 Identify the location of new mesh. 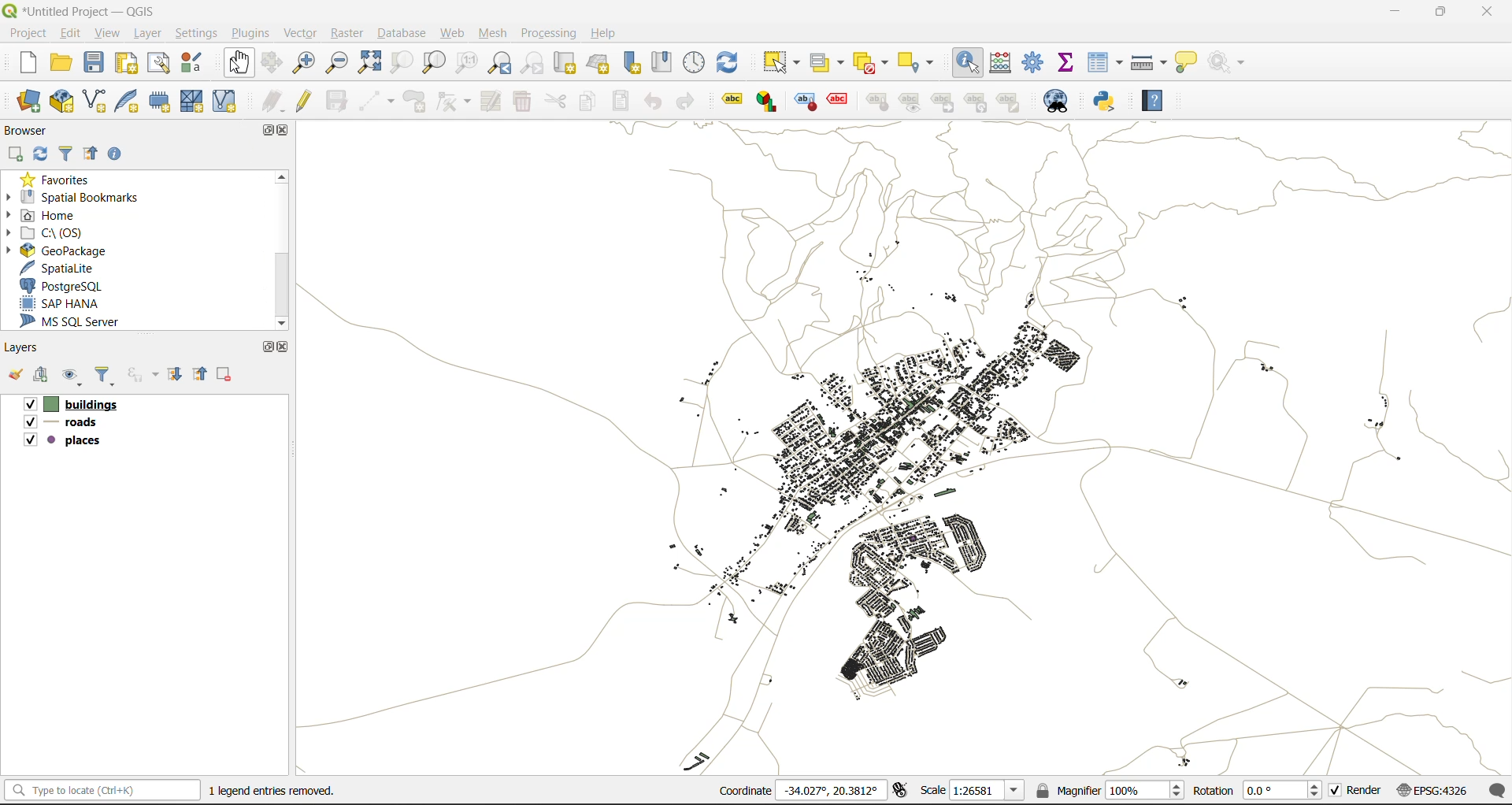
(193, 100).